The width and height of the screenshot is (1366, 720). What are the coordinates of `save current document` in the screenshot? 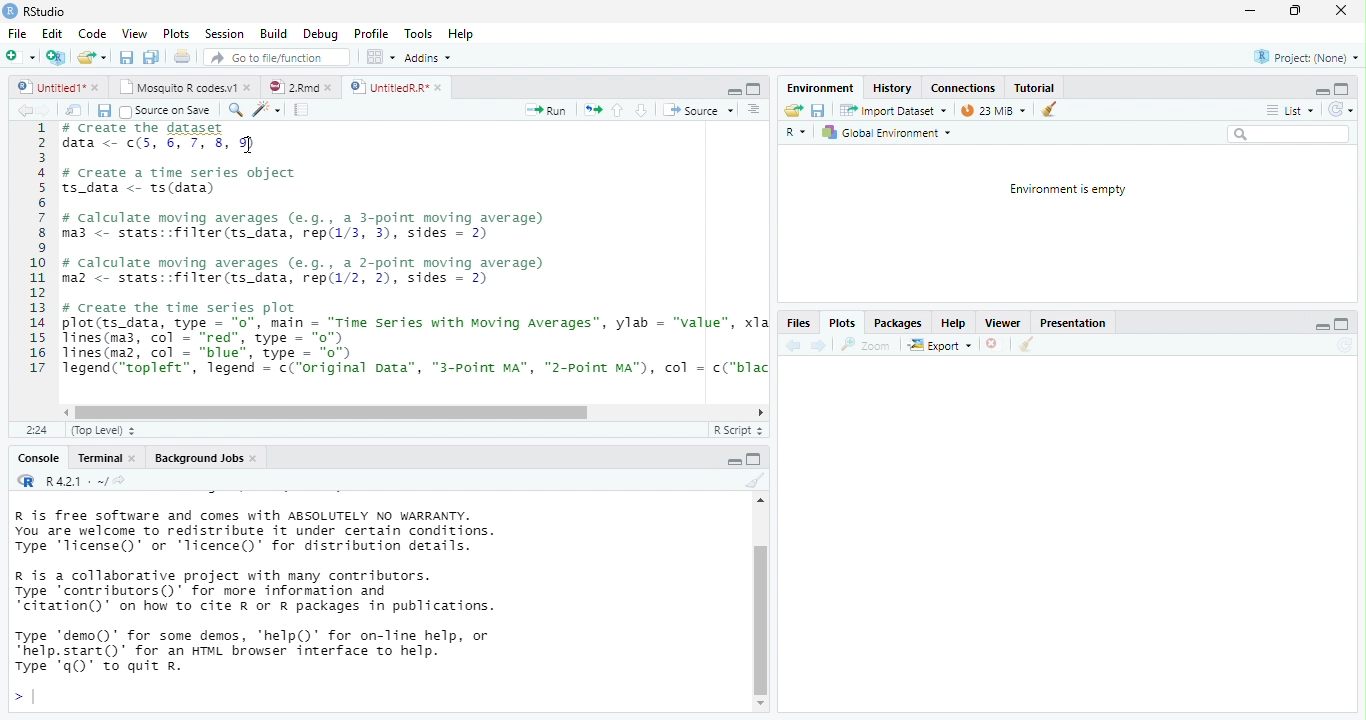 It's located at (819, 111).